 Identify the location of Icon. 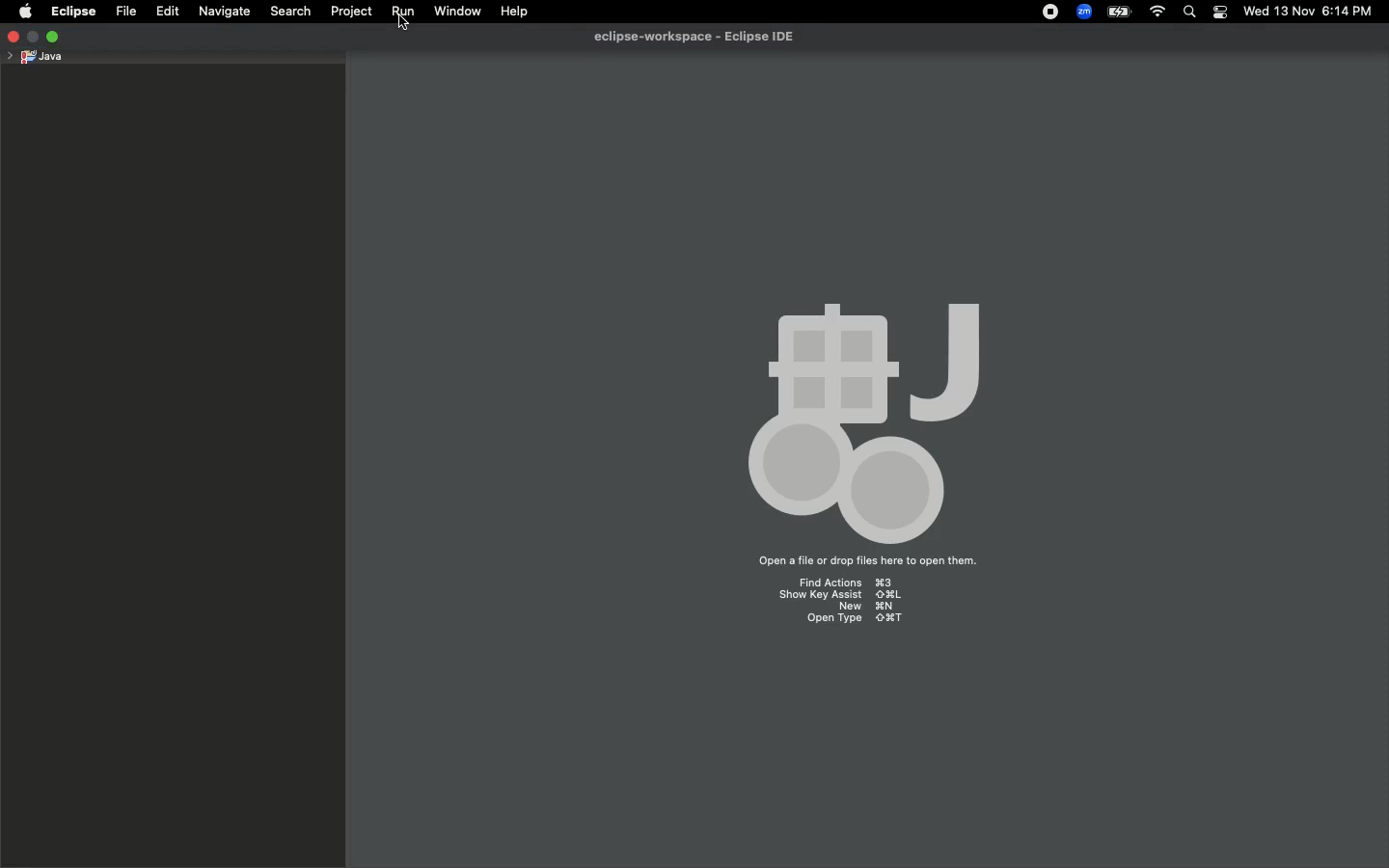
(866, 421).